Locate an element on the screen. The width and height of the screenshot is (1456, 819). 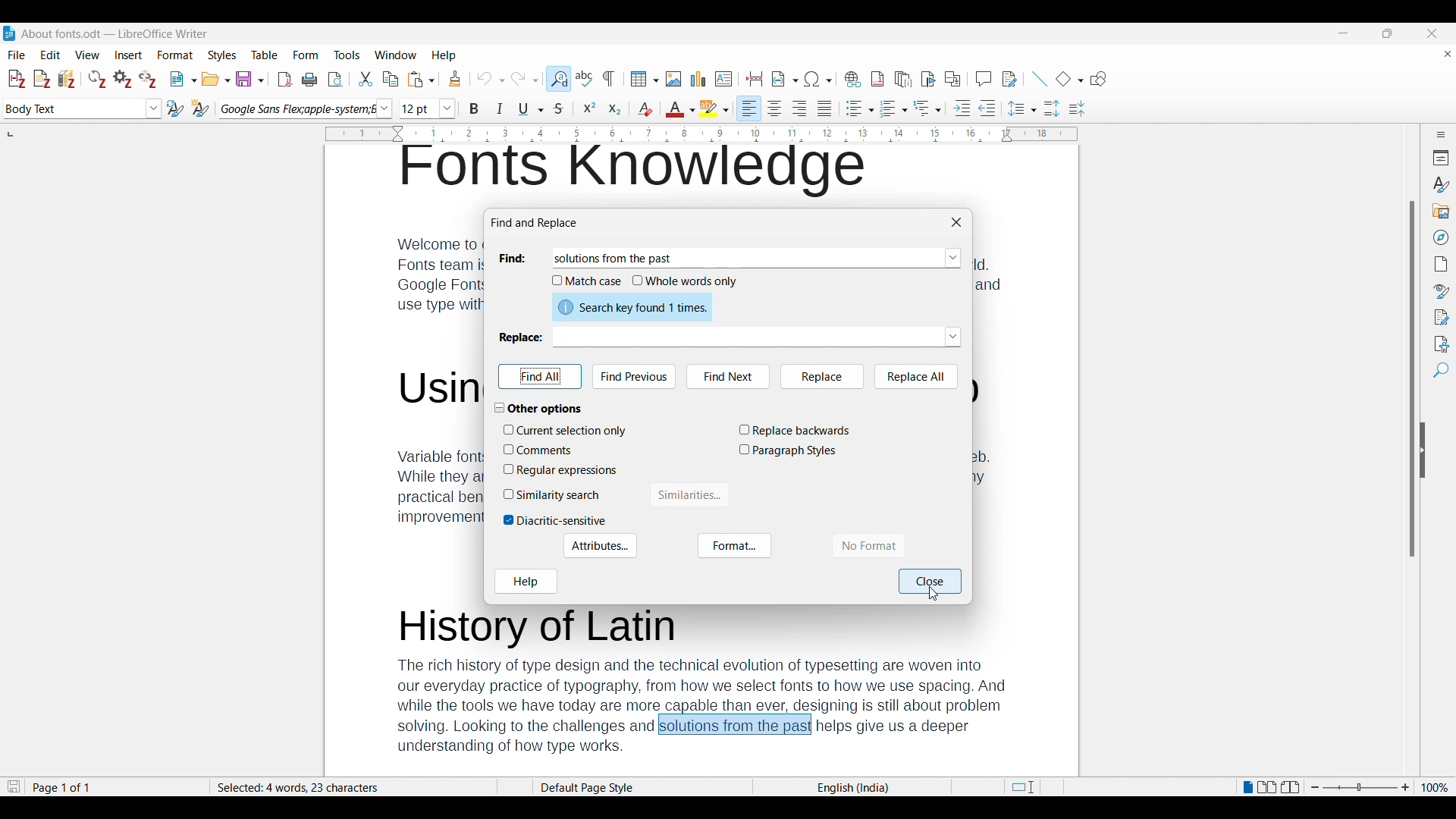
Indicates space to input Find text is located at coordinates (514, 259).